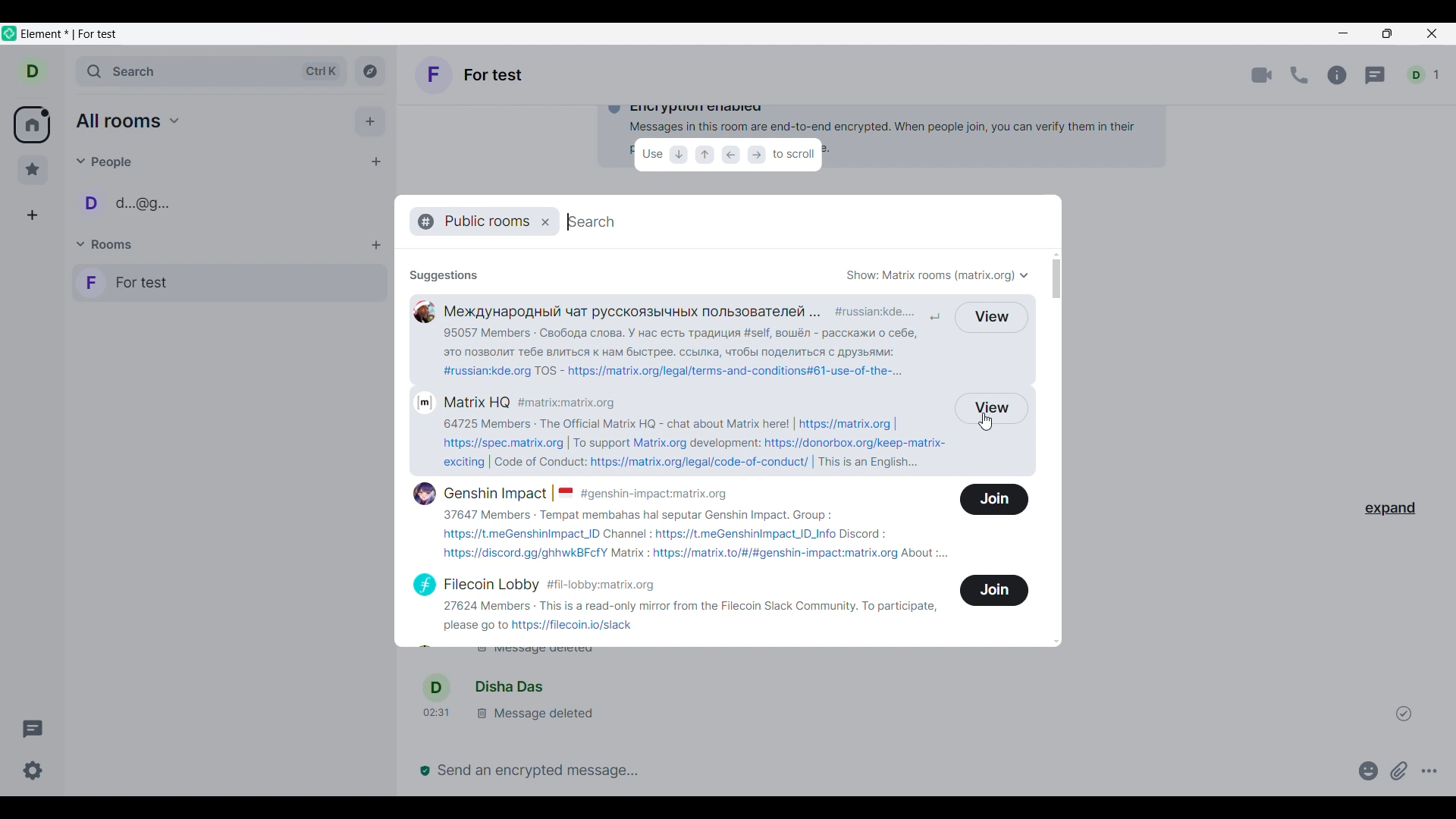  What do you see at coordinates (940, 274) in the screenshot?
I see `show: matrix rooms (matrix.org)` at bounding box center [940, 274].